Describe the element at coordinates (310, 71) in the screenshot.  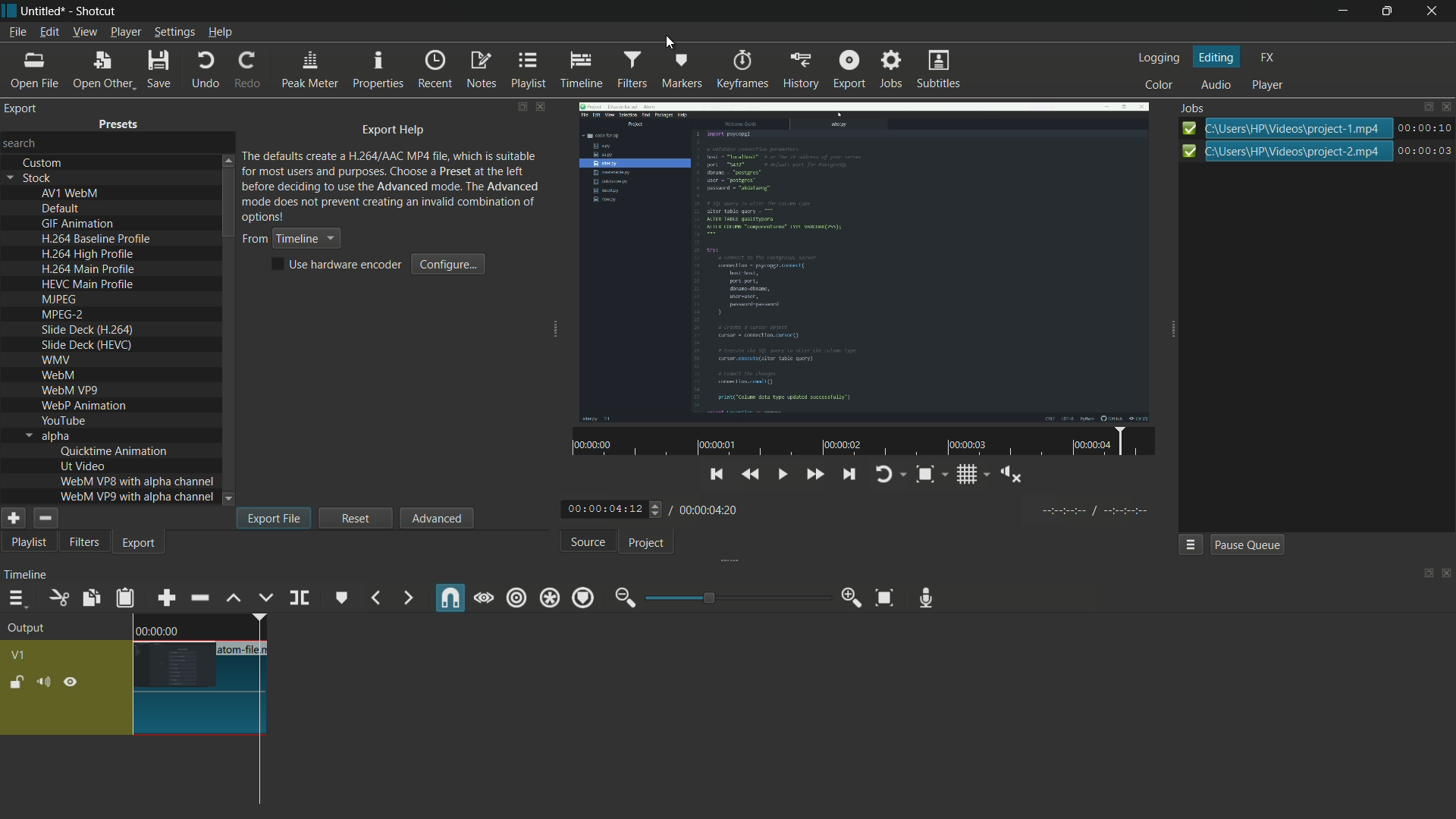
I see `peak meter` at that location.